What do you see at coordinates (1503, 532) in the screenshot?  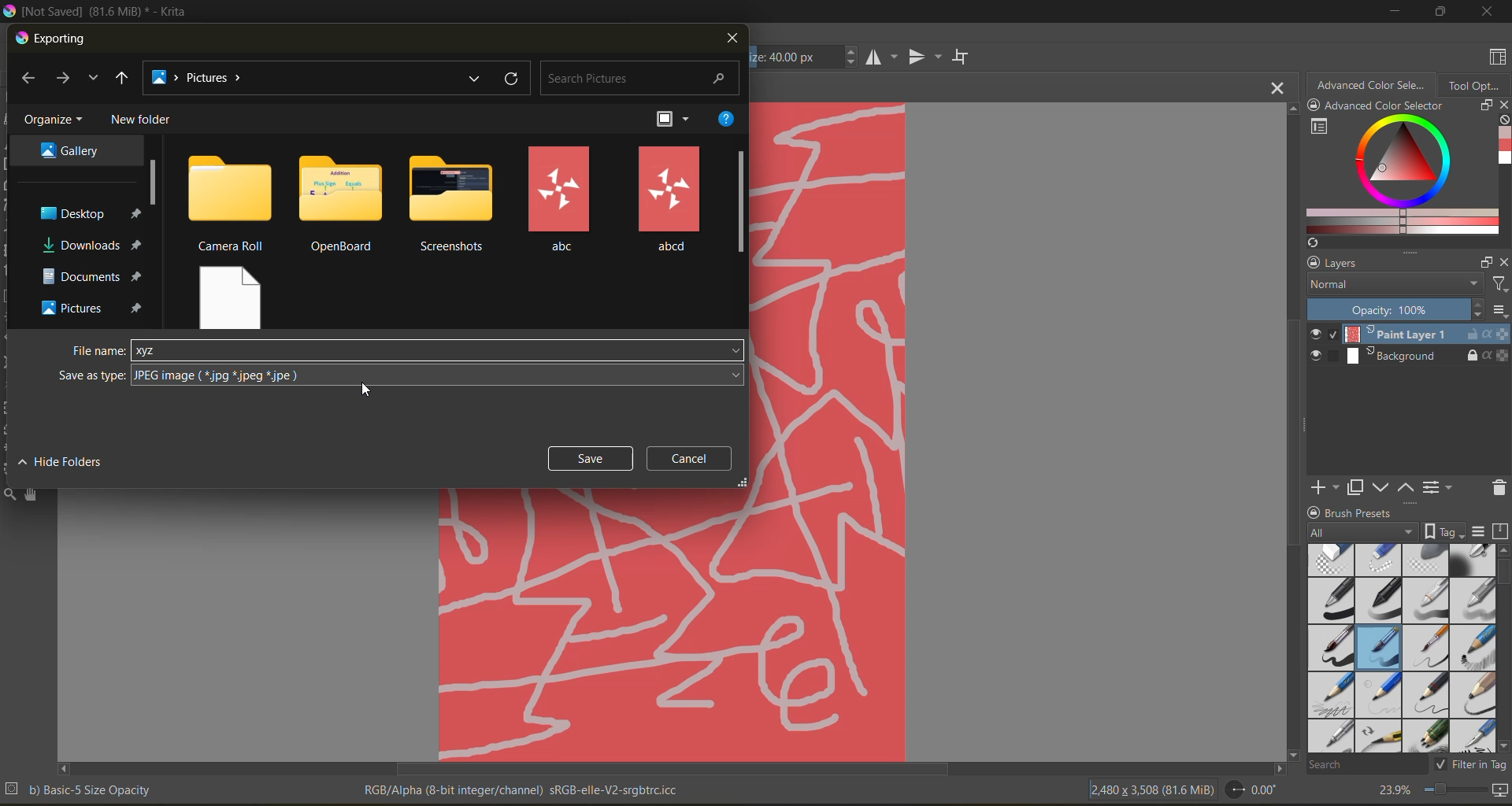 I see `storage resources` at bounding box center [1503, 532].